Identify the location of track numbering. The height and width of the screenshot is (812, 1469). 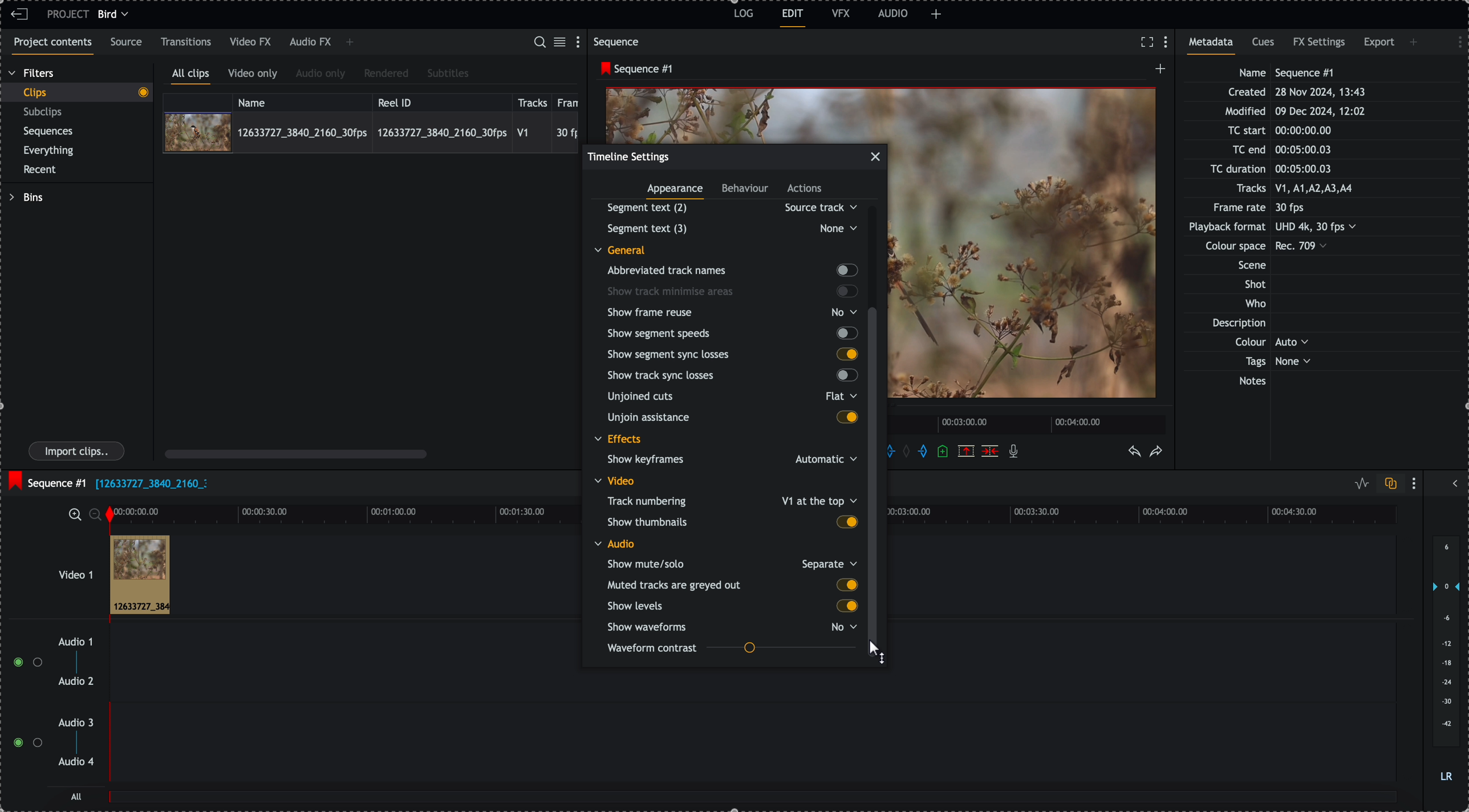
(731, 500).